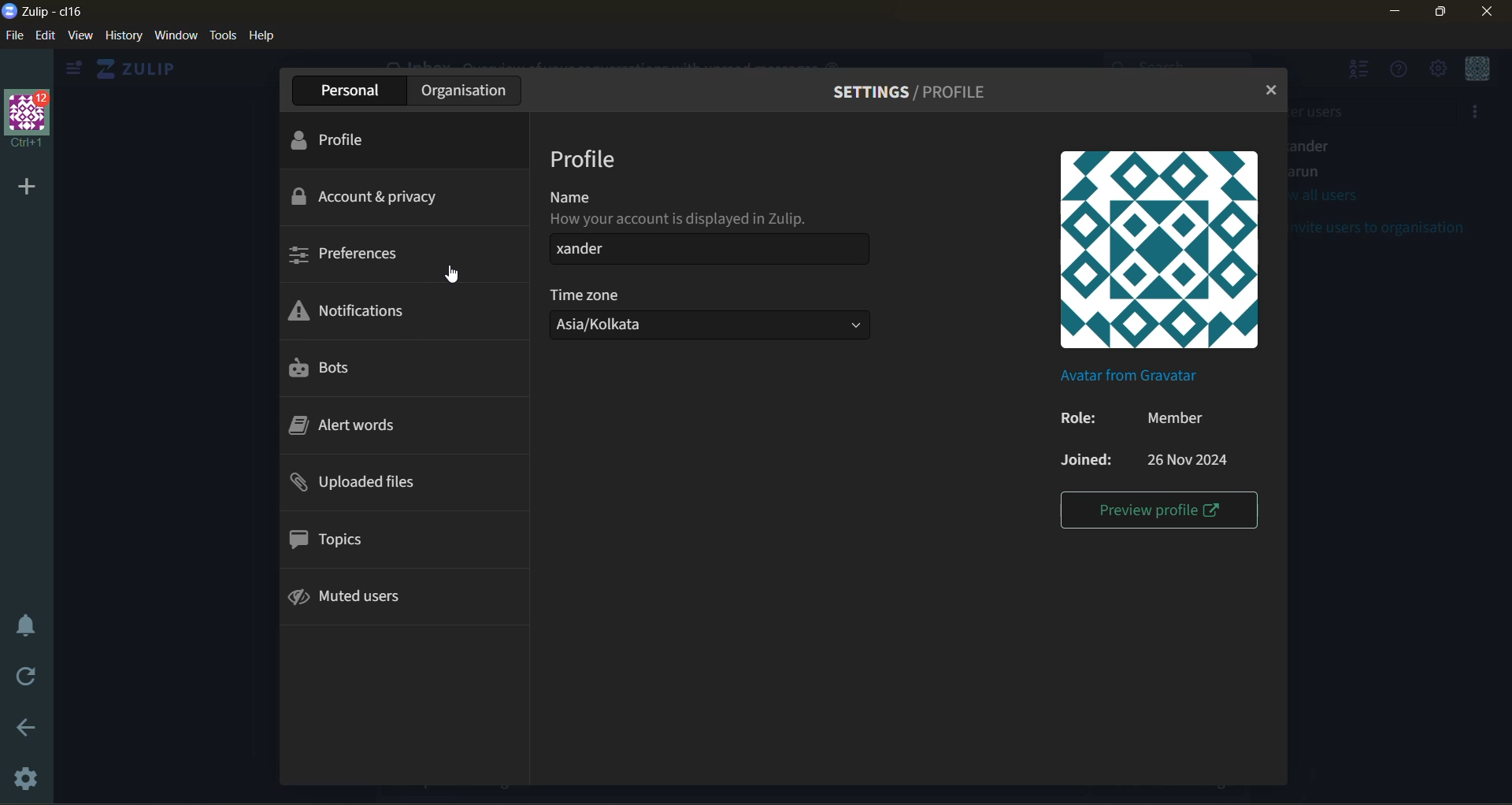  I want to click on maximize, so click(1443, 13).